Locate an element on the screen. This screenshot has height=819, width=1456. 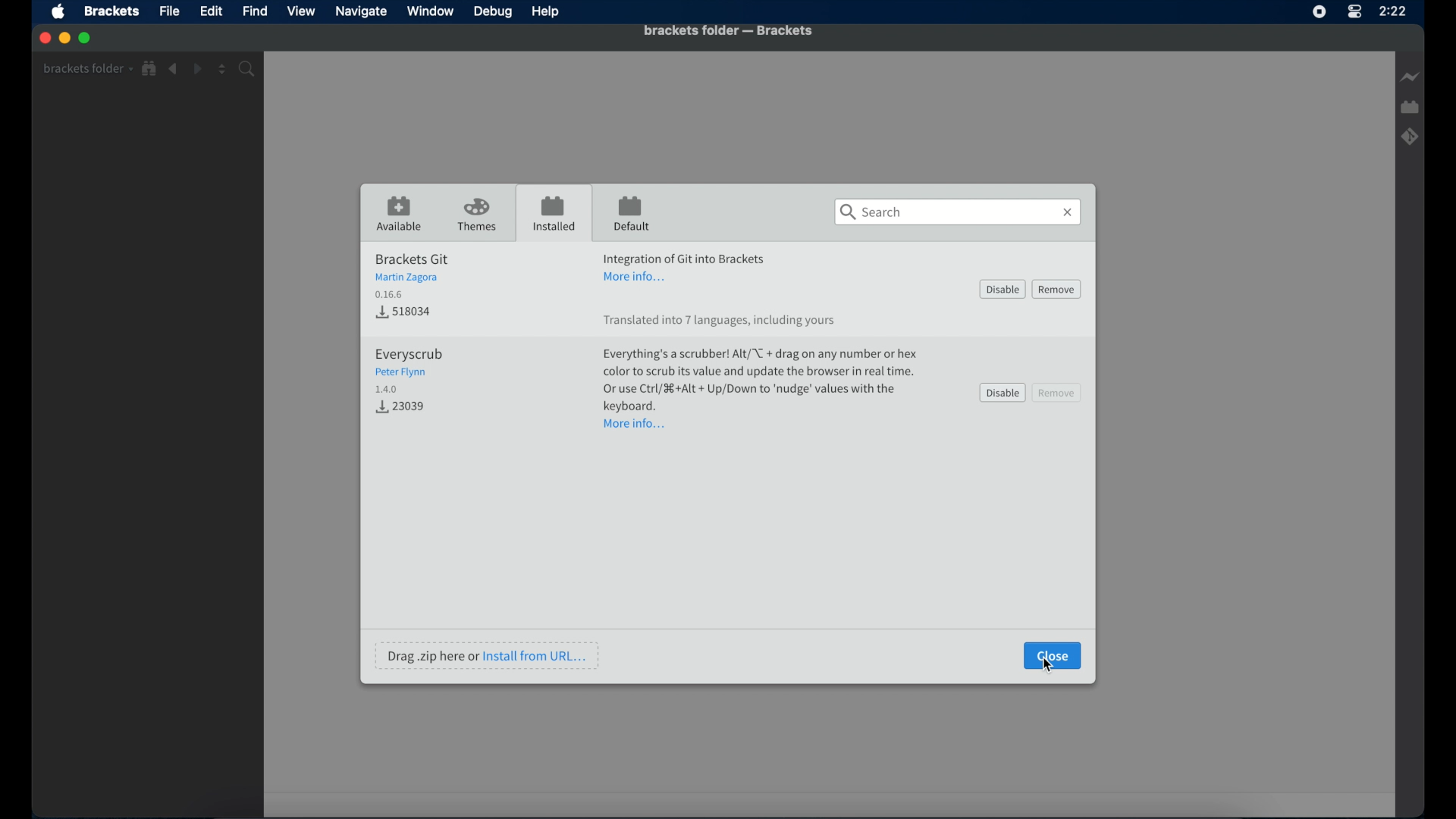
installed highlighted is located at coordinates (553, 212).